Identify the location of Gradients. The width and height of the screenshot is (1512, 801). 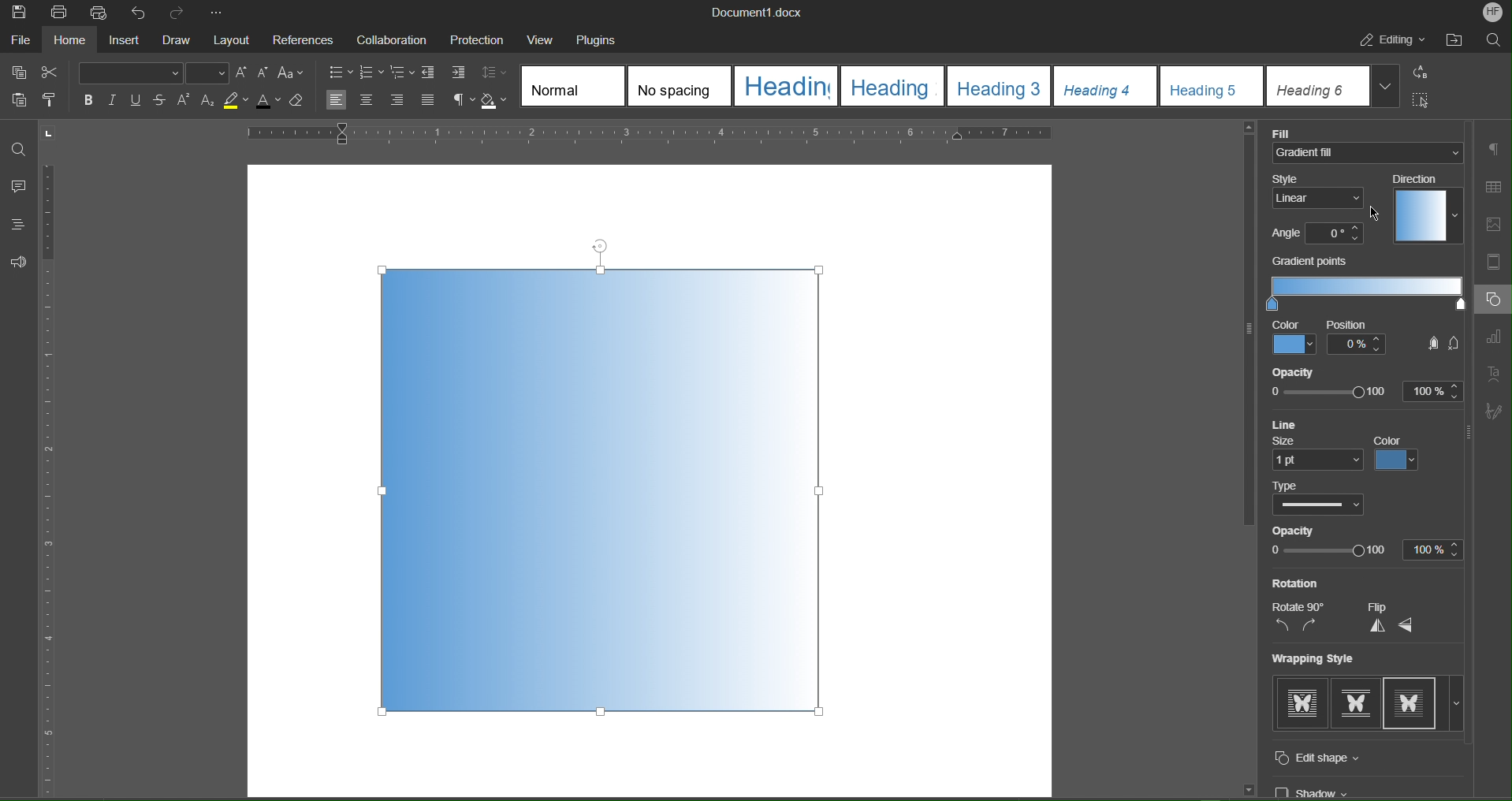
(1365, 293).